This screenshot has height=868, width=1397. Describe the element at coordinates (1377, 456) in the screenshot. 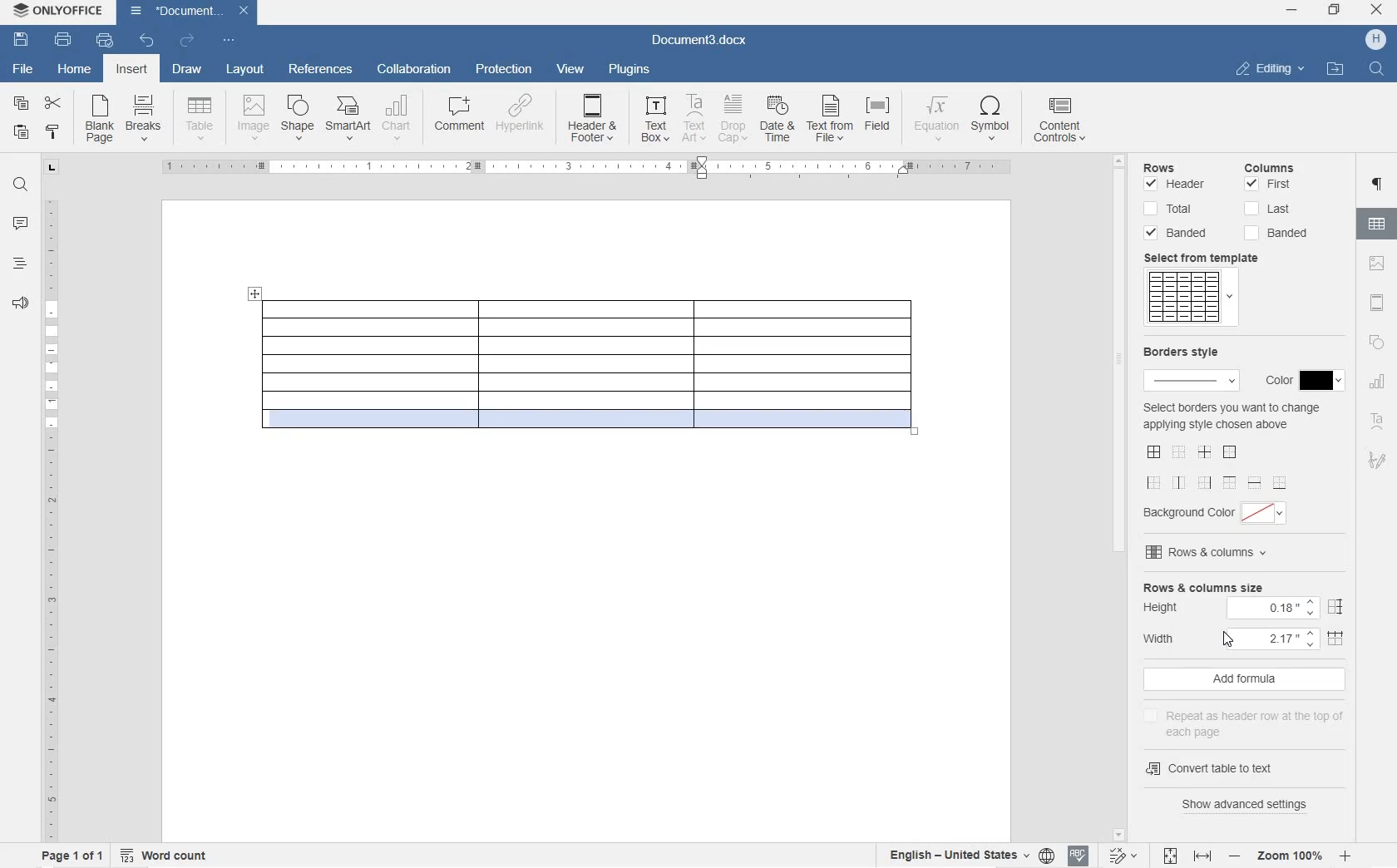

I see `SIGNATURE` at that location.